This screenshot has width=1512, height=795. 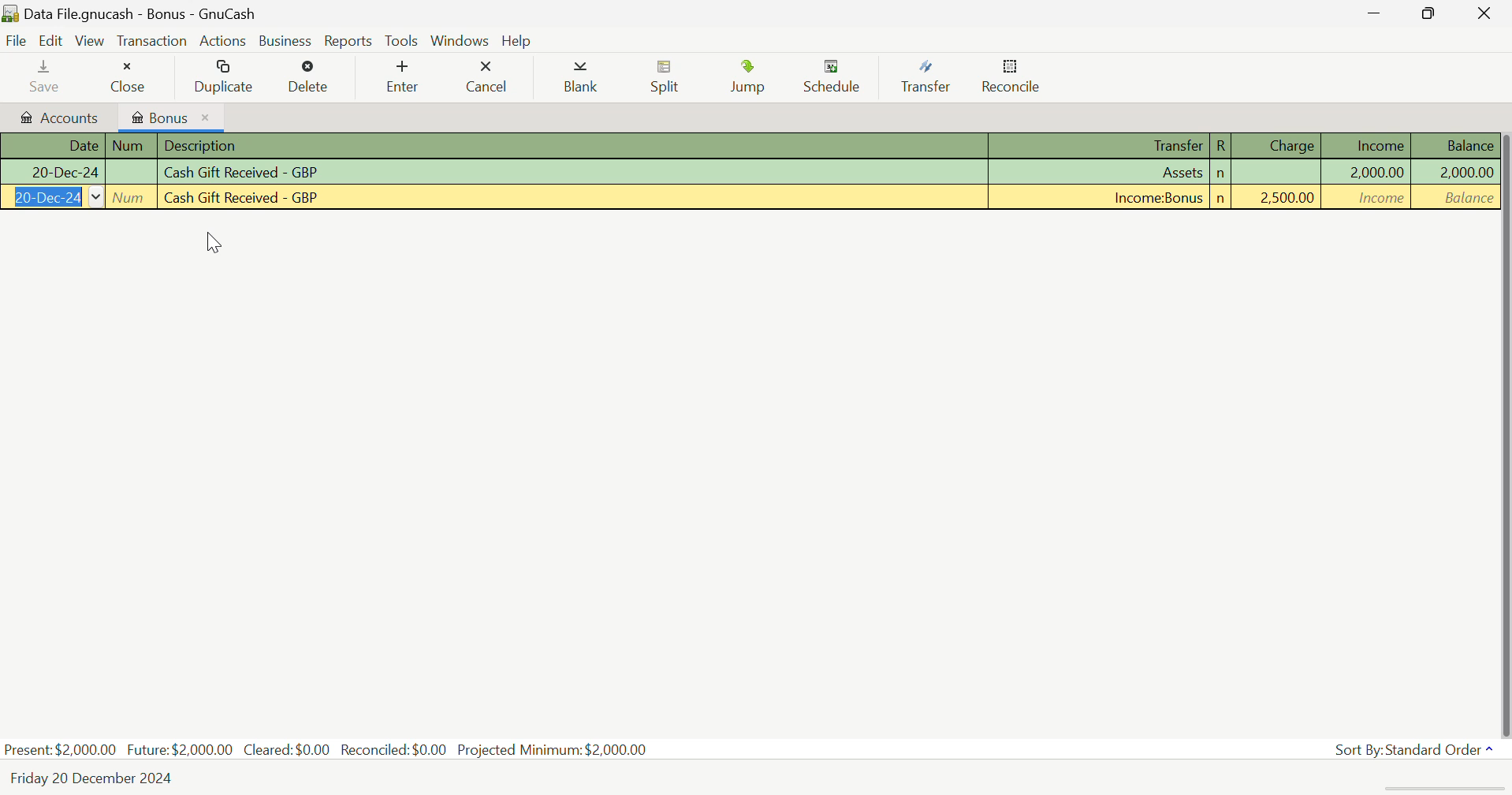 What do you see at coordinates (282, 39) in the screenshot?
I see `Business` at bounding box center [282, 39].